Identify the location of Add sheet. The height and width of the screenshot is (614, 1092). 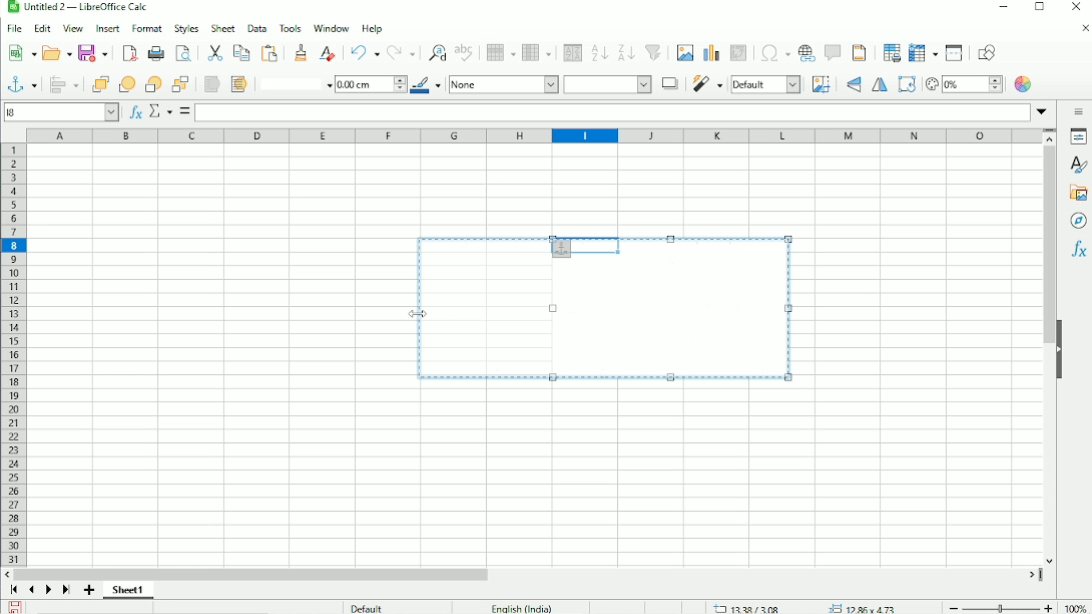
(90, 590).